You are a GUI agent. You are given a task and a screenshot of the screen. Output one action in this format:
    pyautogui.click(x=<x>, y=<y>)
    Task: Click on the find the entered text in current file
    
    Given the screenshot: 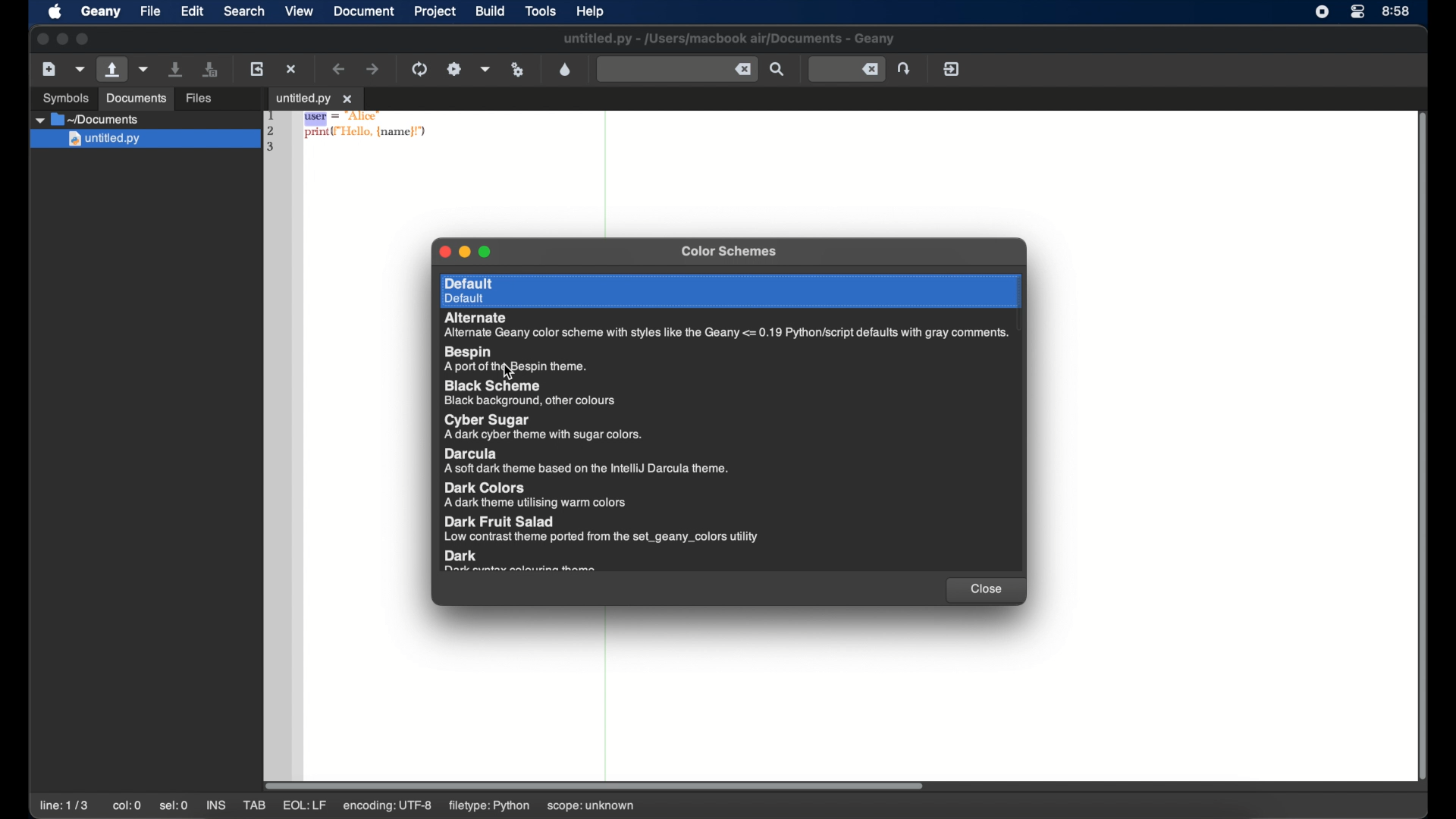 What is the action you would take?
    pyautogui.click(x=676, y=68)
    